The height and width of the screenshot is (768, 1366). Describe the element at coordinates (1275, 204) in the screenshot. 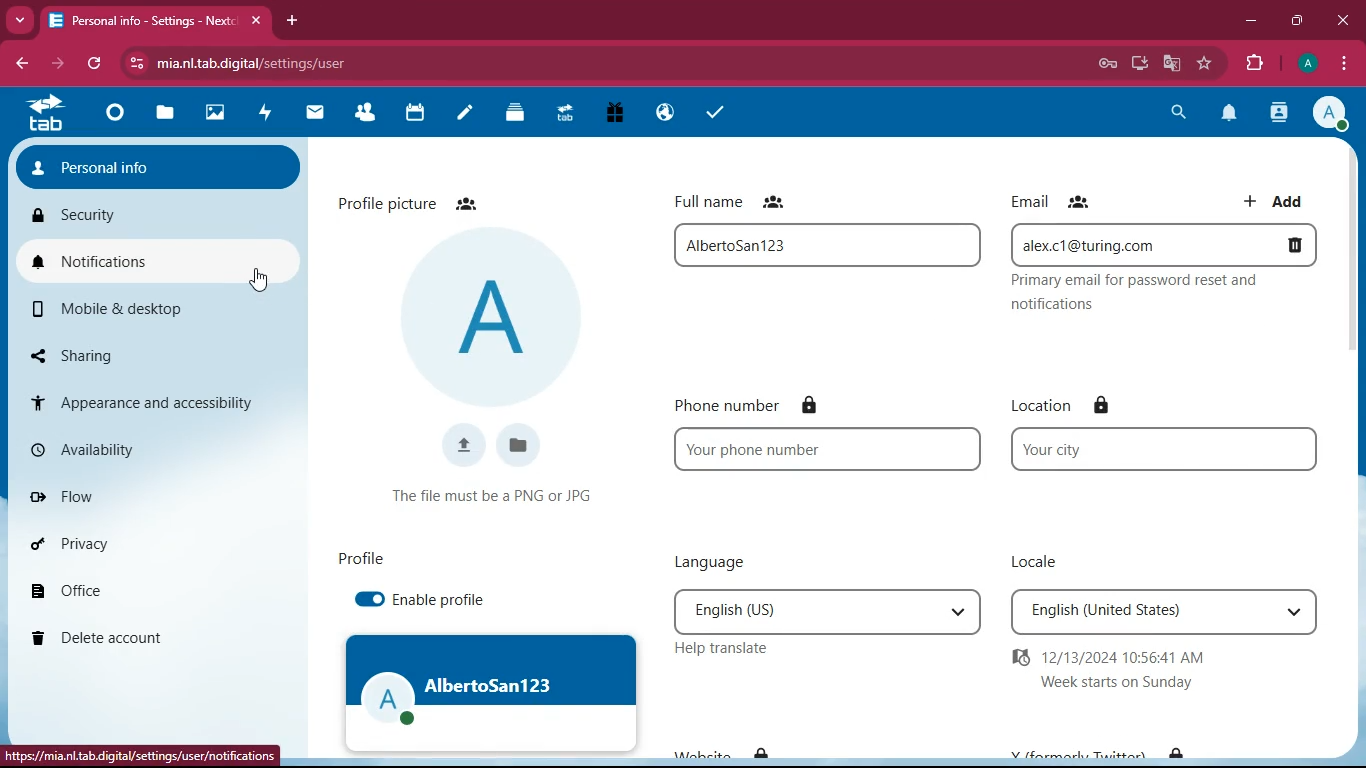

I see `add` at that location.